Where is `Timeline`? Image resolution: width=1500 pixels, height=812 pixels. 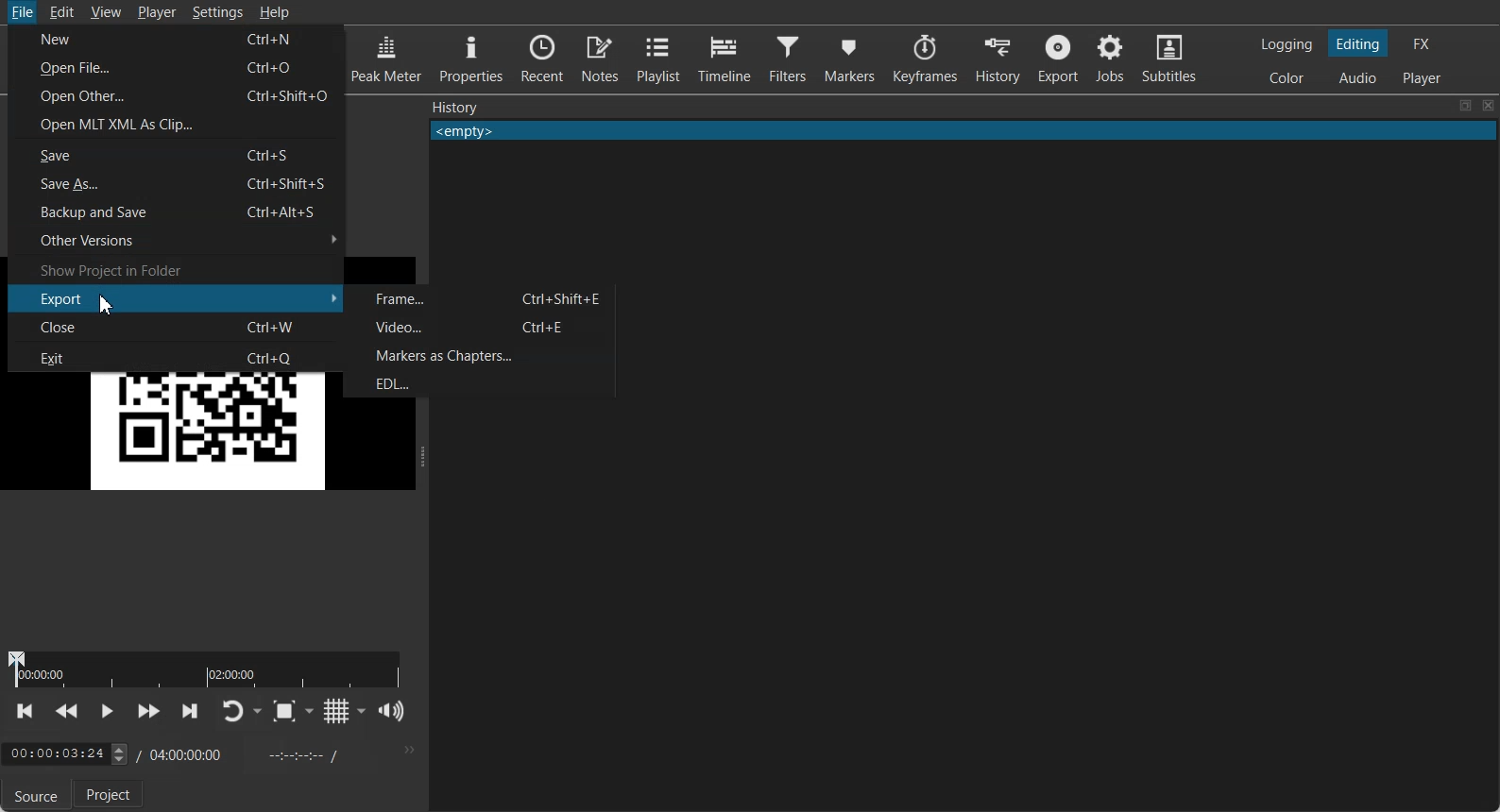
Timeline is located at coordinates (723, 56).